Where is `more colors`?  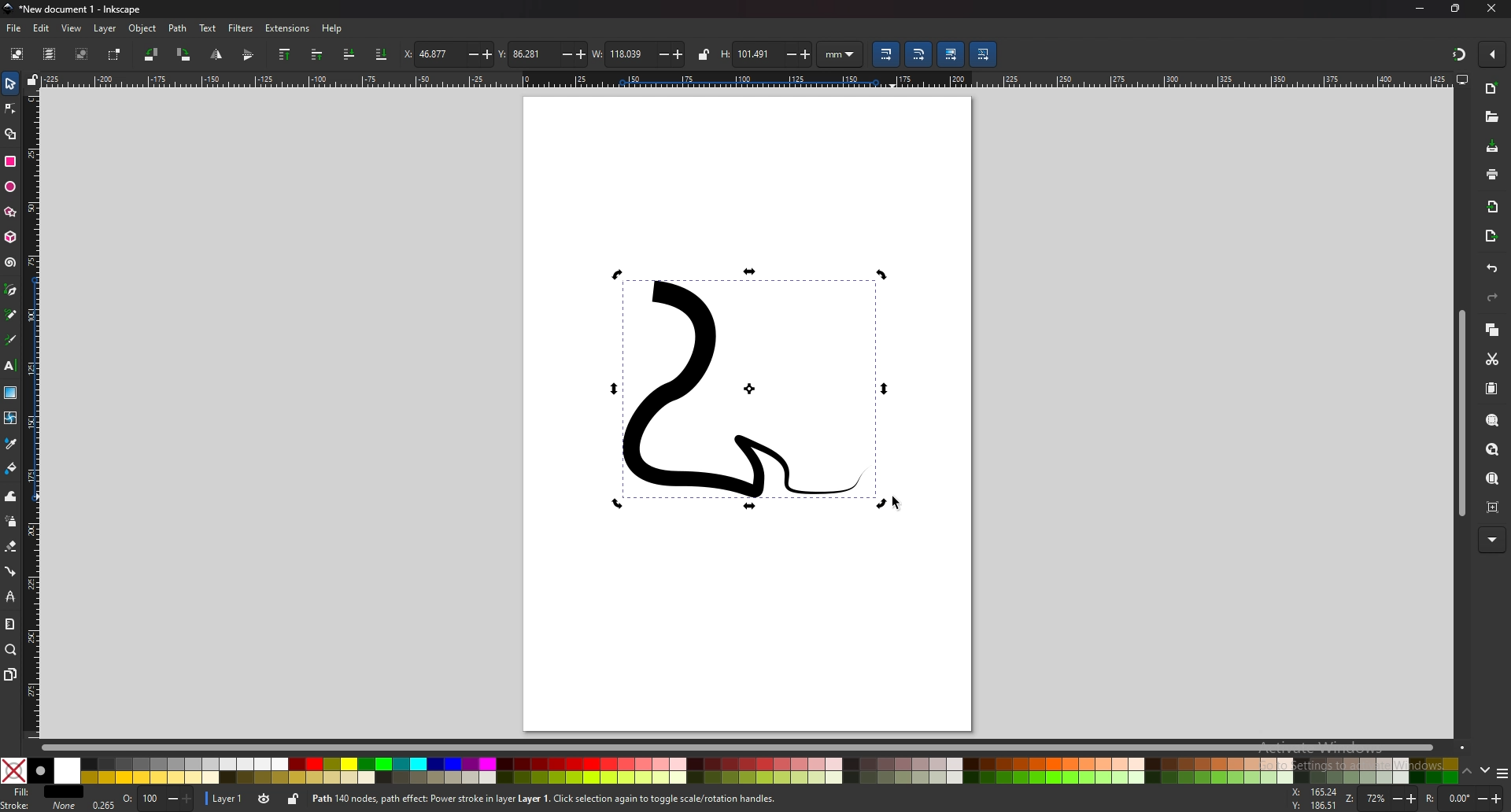 more colors is located at coordinates (1502, 773).